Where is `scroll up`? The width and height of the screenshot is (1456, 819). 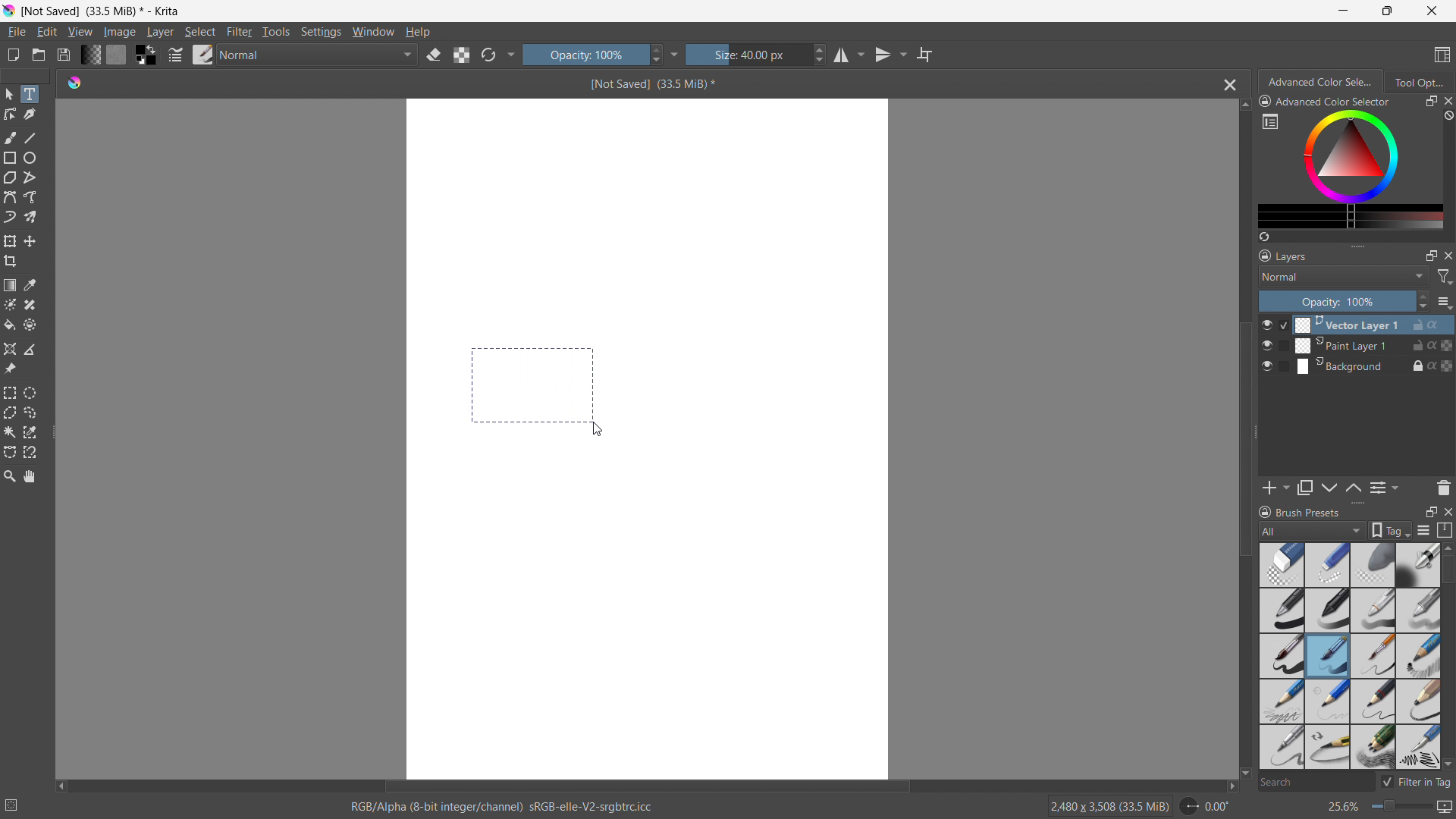
scroll up is located at coordinates (1244, 105).